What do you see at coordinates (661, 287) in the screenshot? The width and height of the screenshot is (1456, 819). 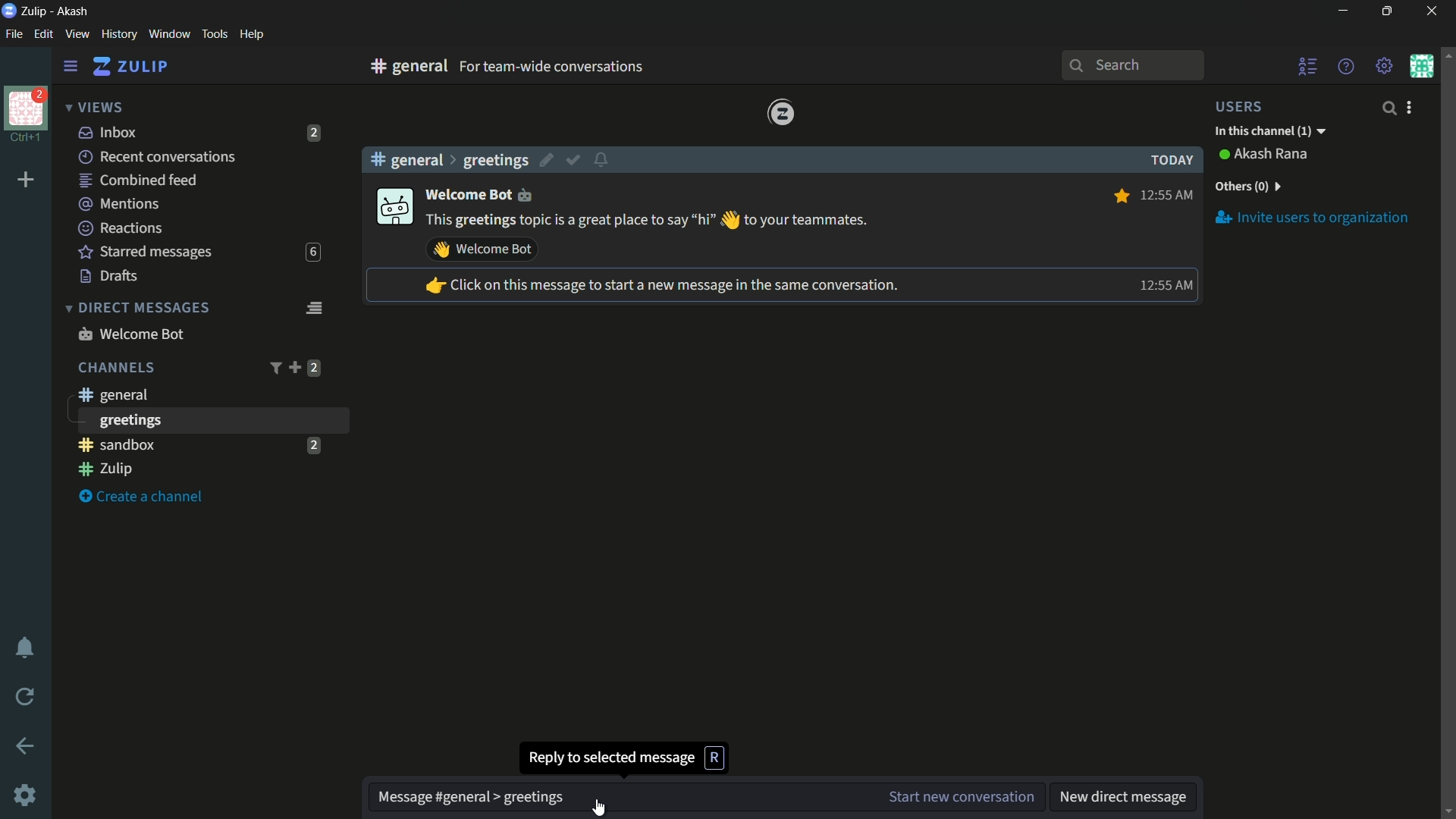 I see `Click on this message to start a new message in the same conversation` at bounding box center [661, 287].